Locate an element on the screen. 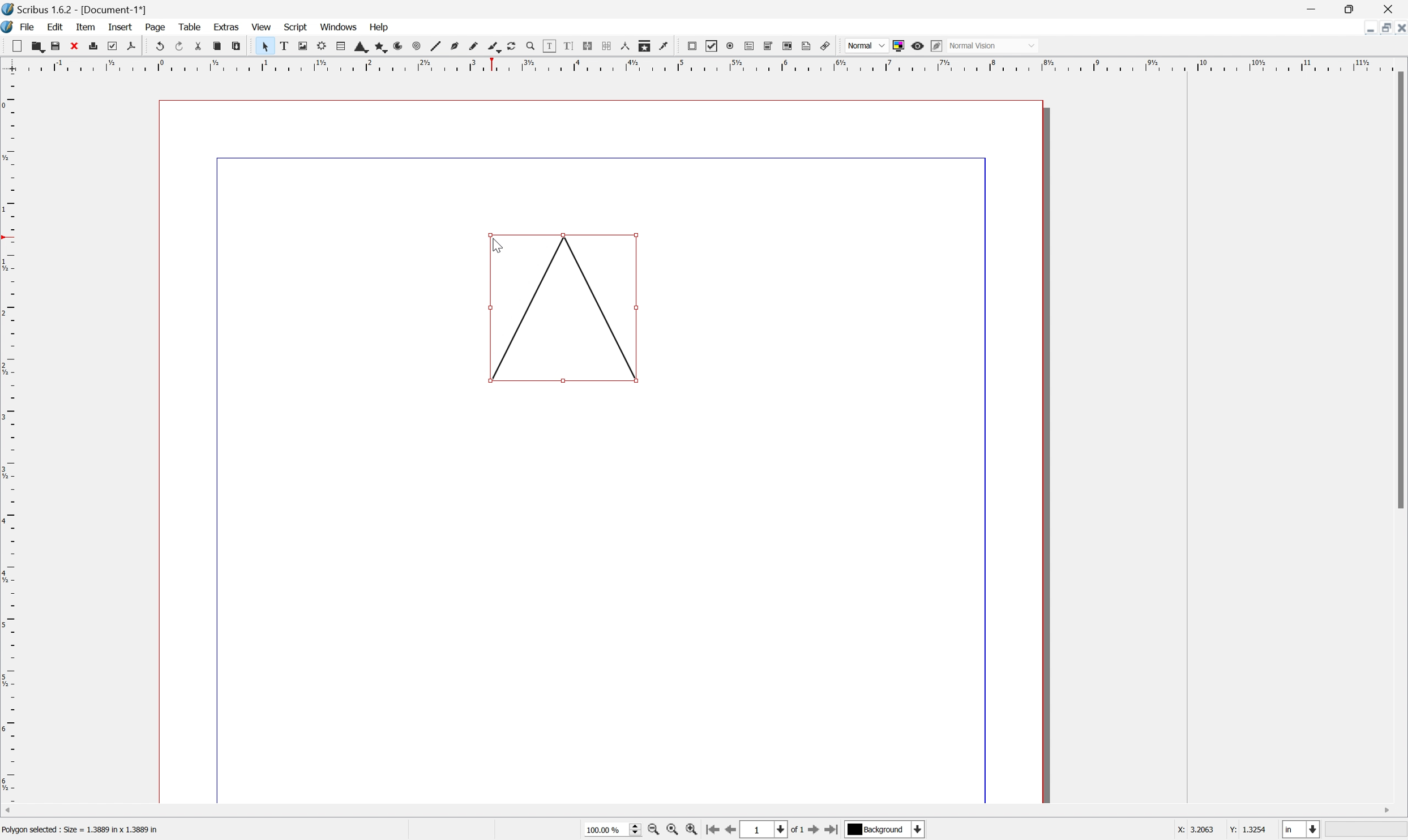  Shape is located at coordinates (357, 48).